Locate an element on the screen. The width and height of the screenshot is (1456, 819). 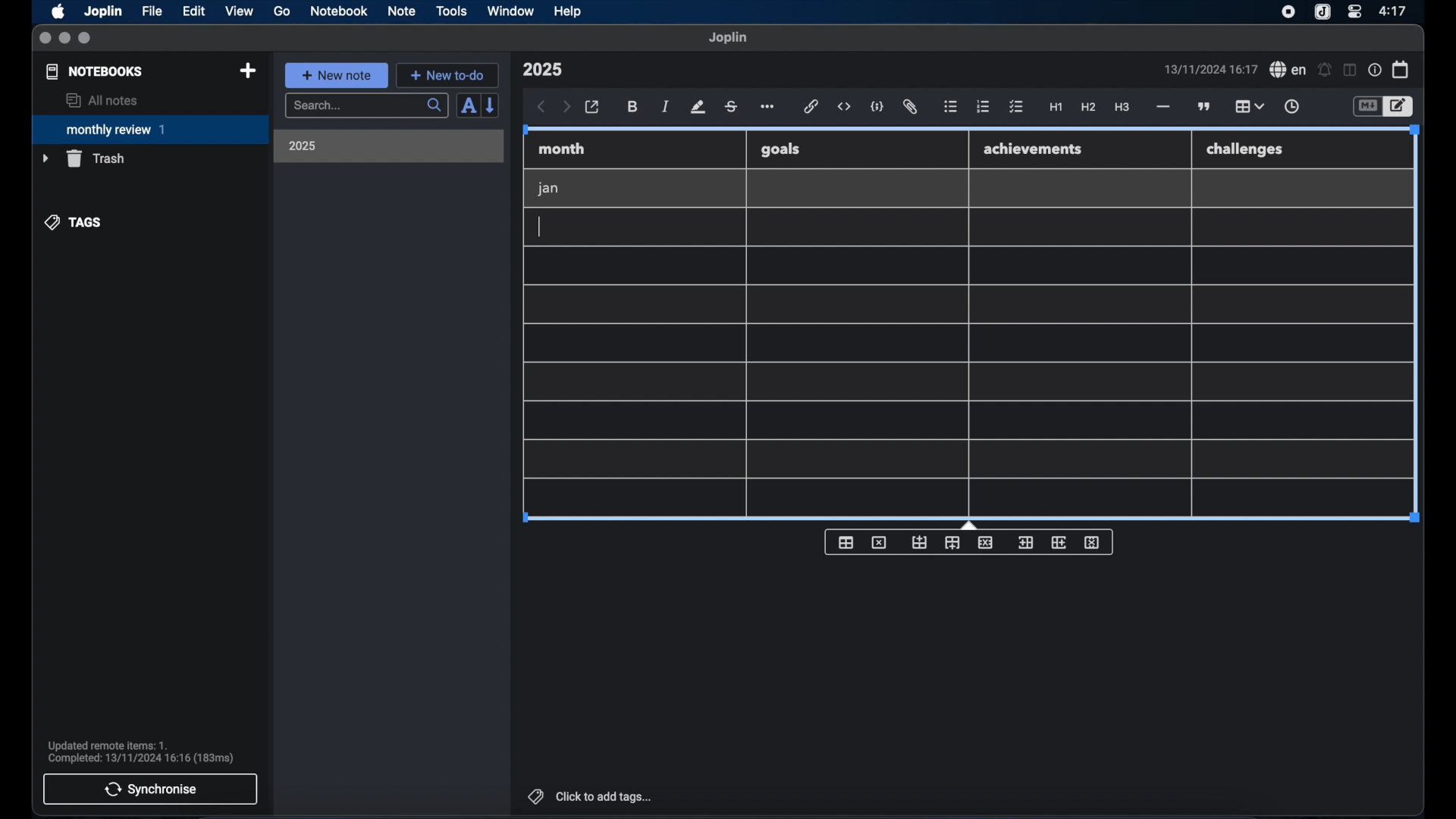
note is located at coordinates (402, 11).